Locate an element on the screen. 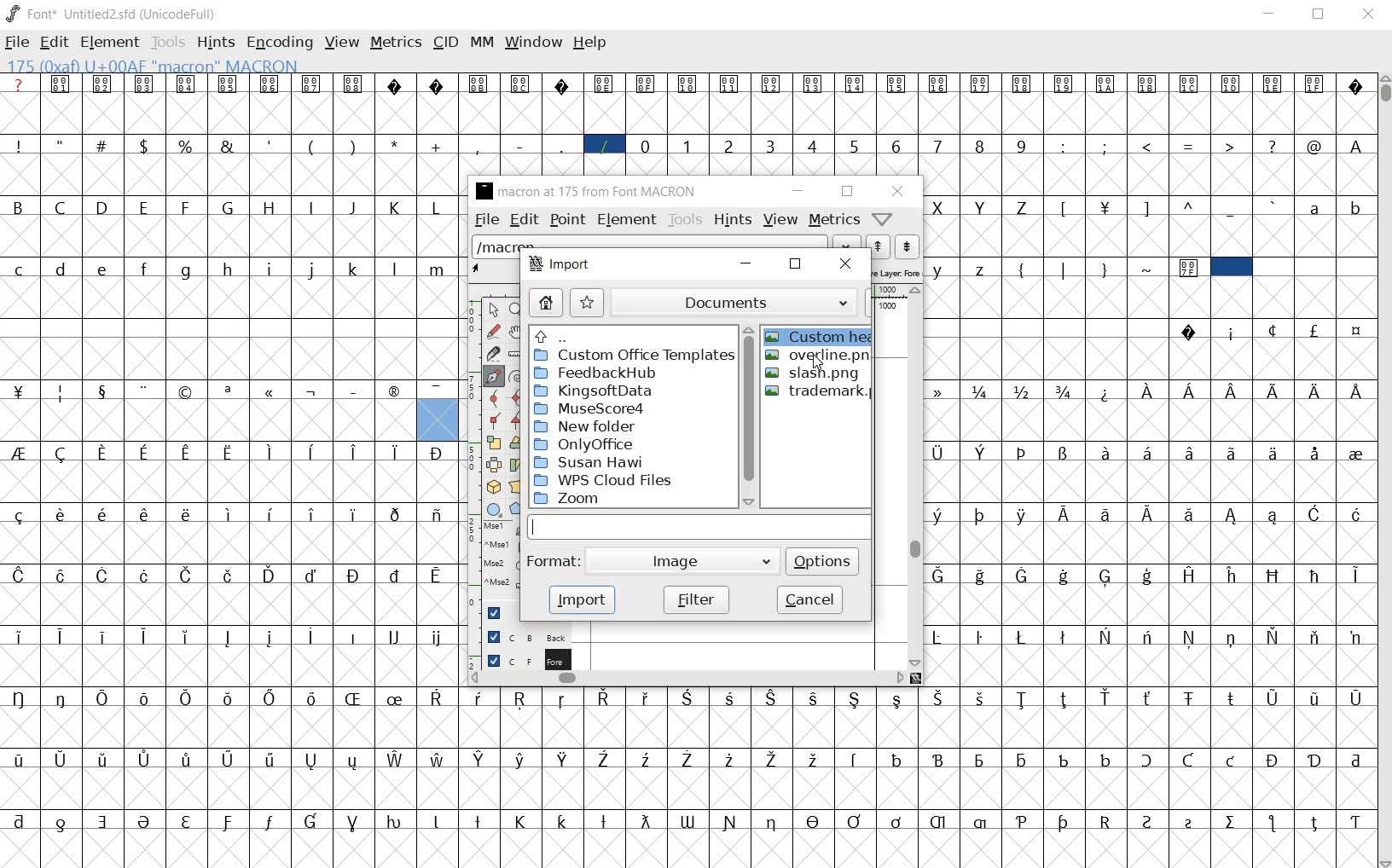  Symbol is located at coordinates (436, 85).